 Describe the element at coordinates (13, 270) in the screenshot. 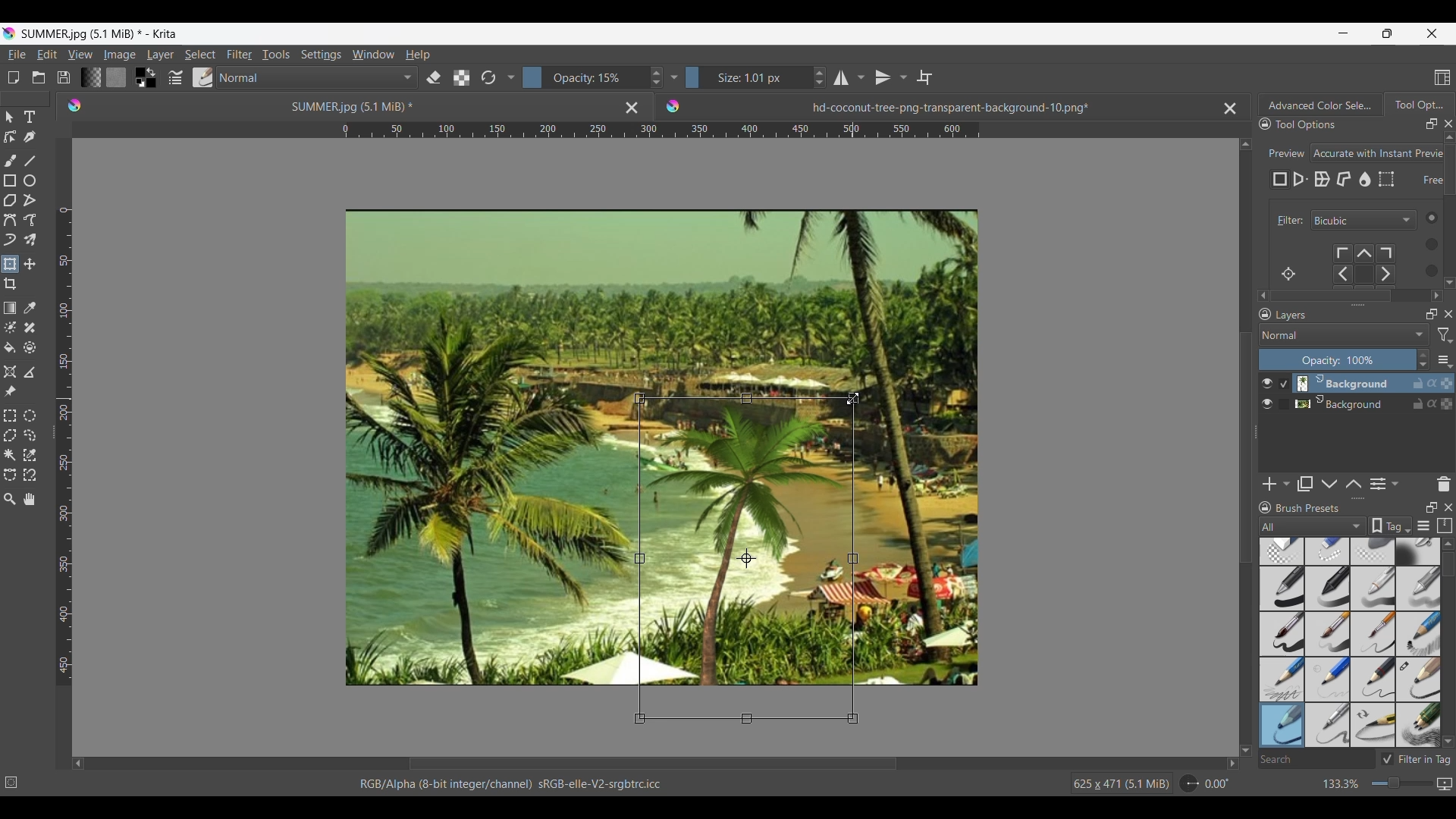

I see `Cursor clicking on Transform tool` at that location.